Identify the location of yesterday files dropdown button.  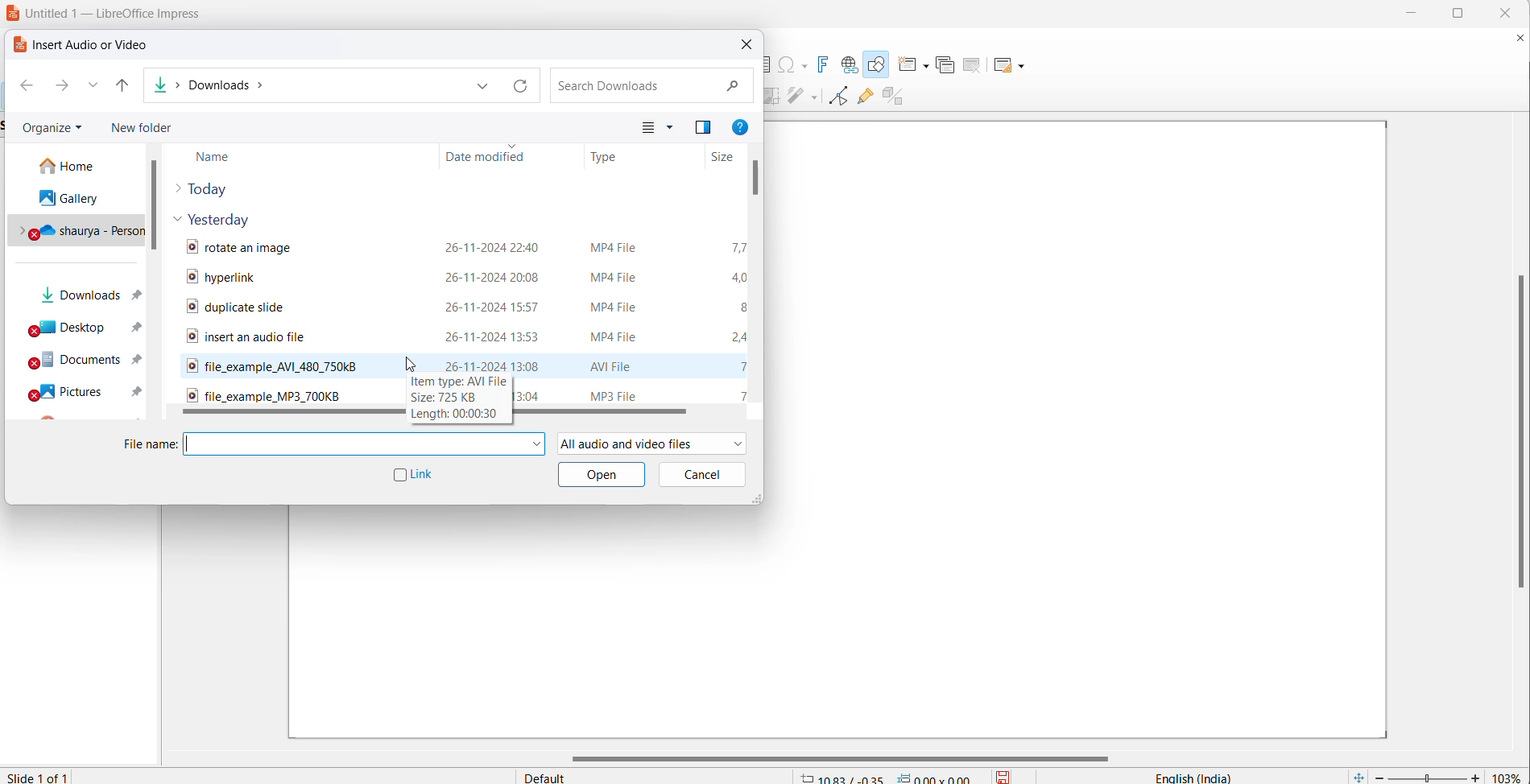
(221, 220).